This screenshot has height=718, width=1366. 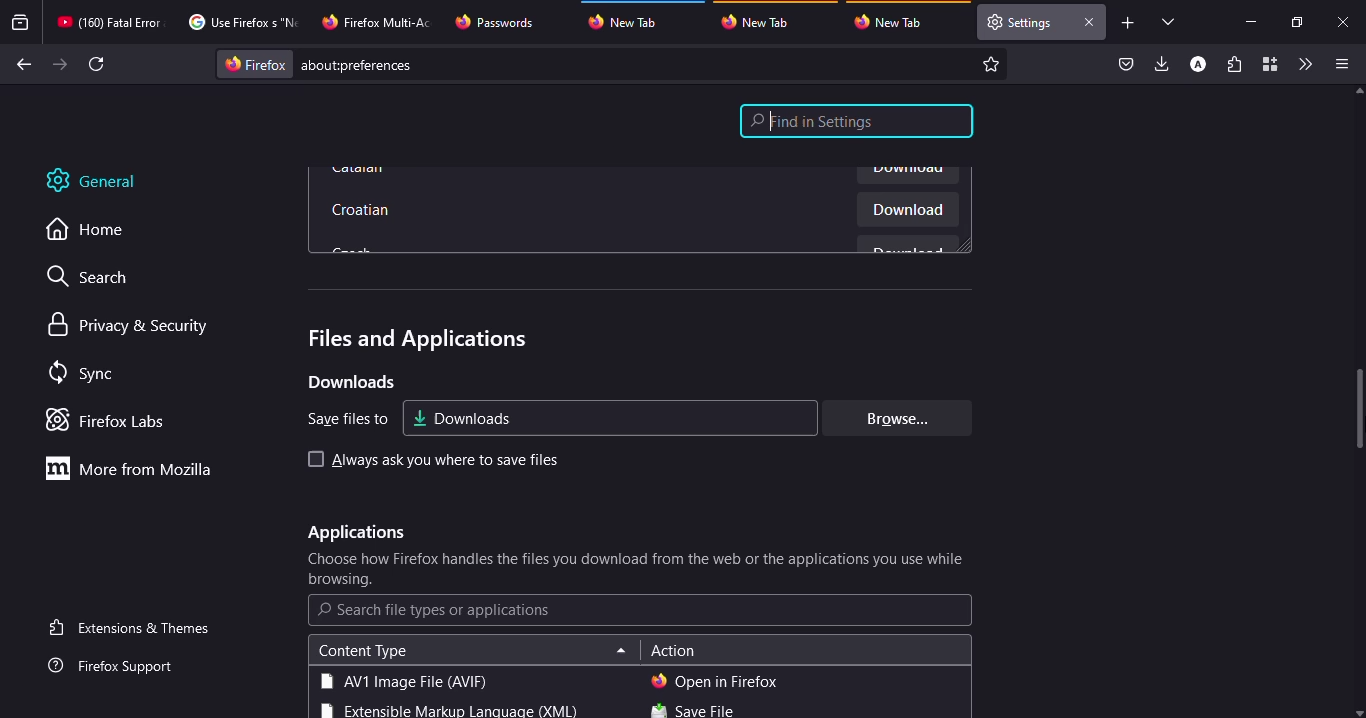 What do you see at coordinates (449, 460) in the screenshot?
I see `always ask` at bounding box center [449, 460].